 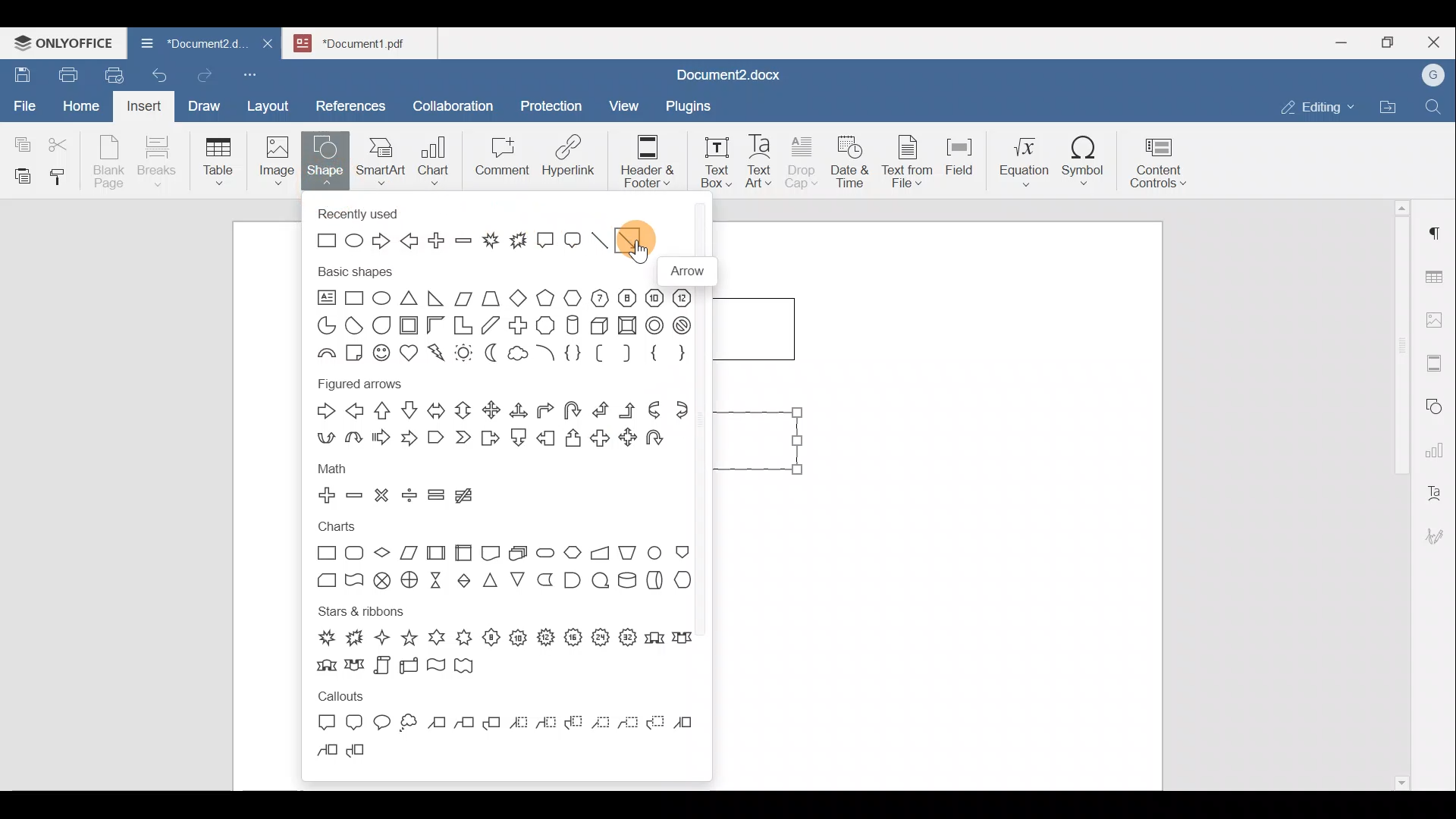 What do you see at coordinates (642, 160) in the screenshot?
I see `Header & footer` at bounding box center [642, 160].